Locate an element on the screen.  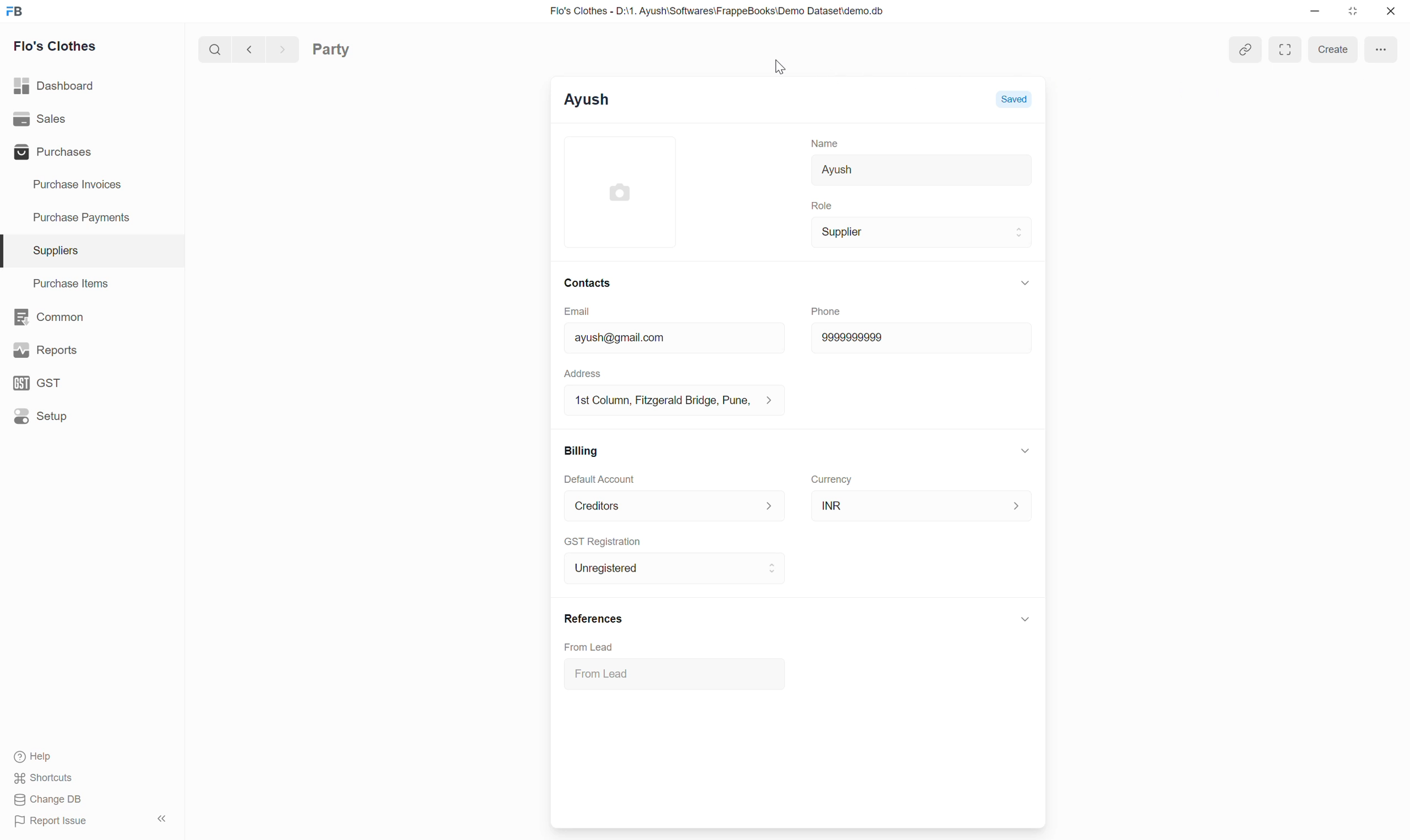
Default Account is located at coordinates (600, 478).